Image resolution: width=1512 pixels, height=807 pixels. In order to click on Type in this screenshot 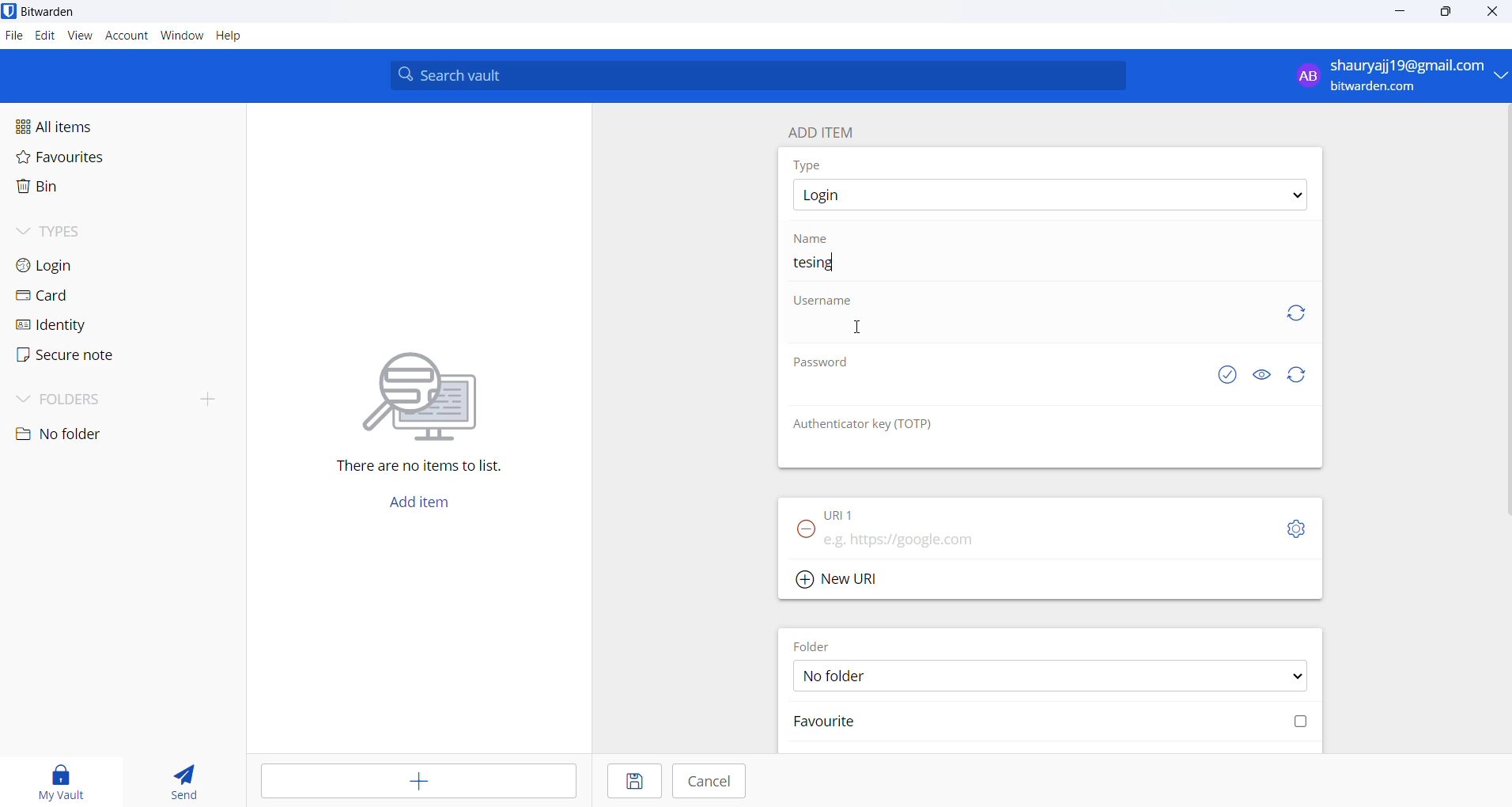, I will do `click(811, 165)`.